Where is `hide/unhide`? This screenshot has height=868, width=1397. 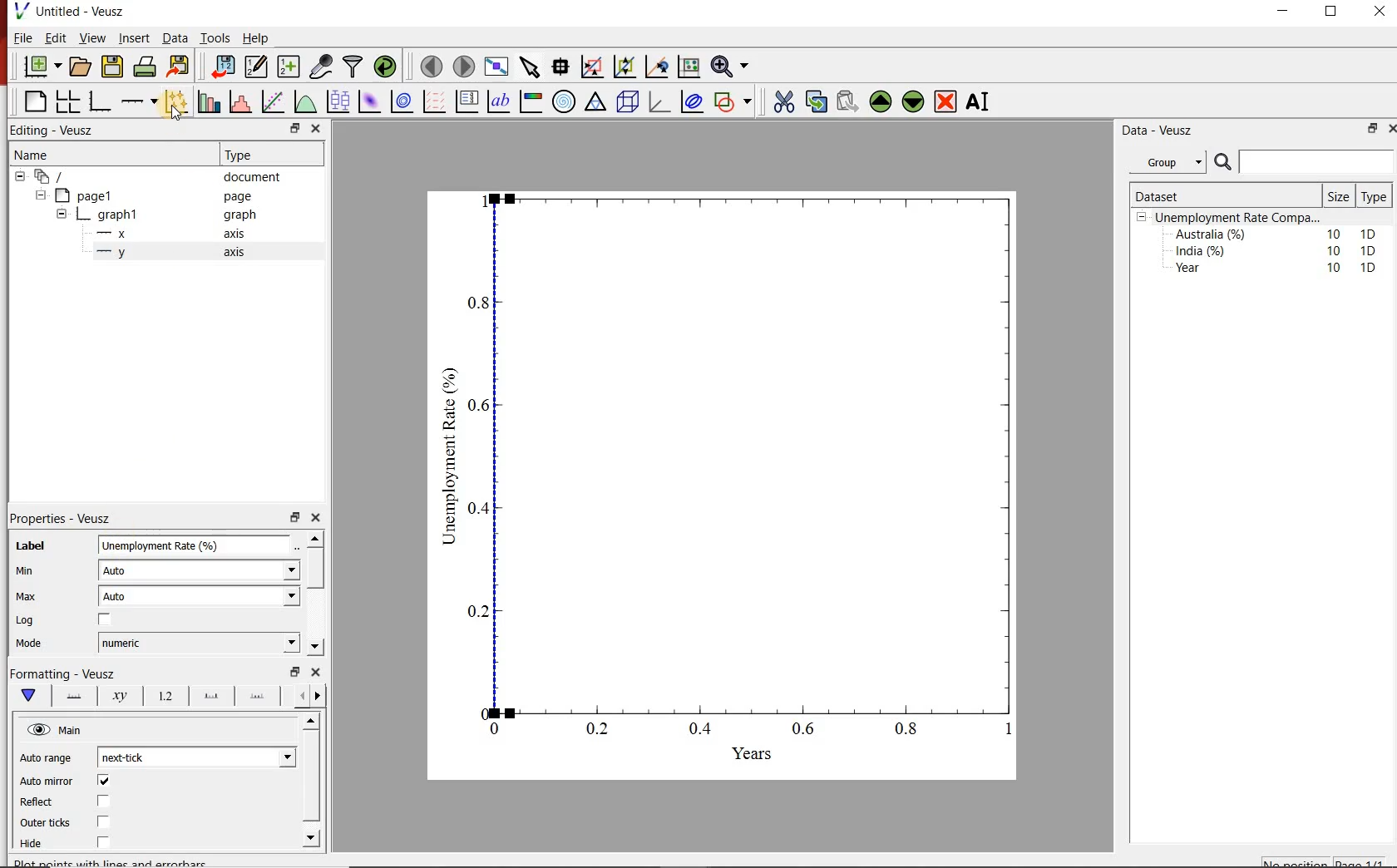 hide/unhide is located at coordinates (38, 729).